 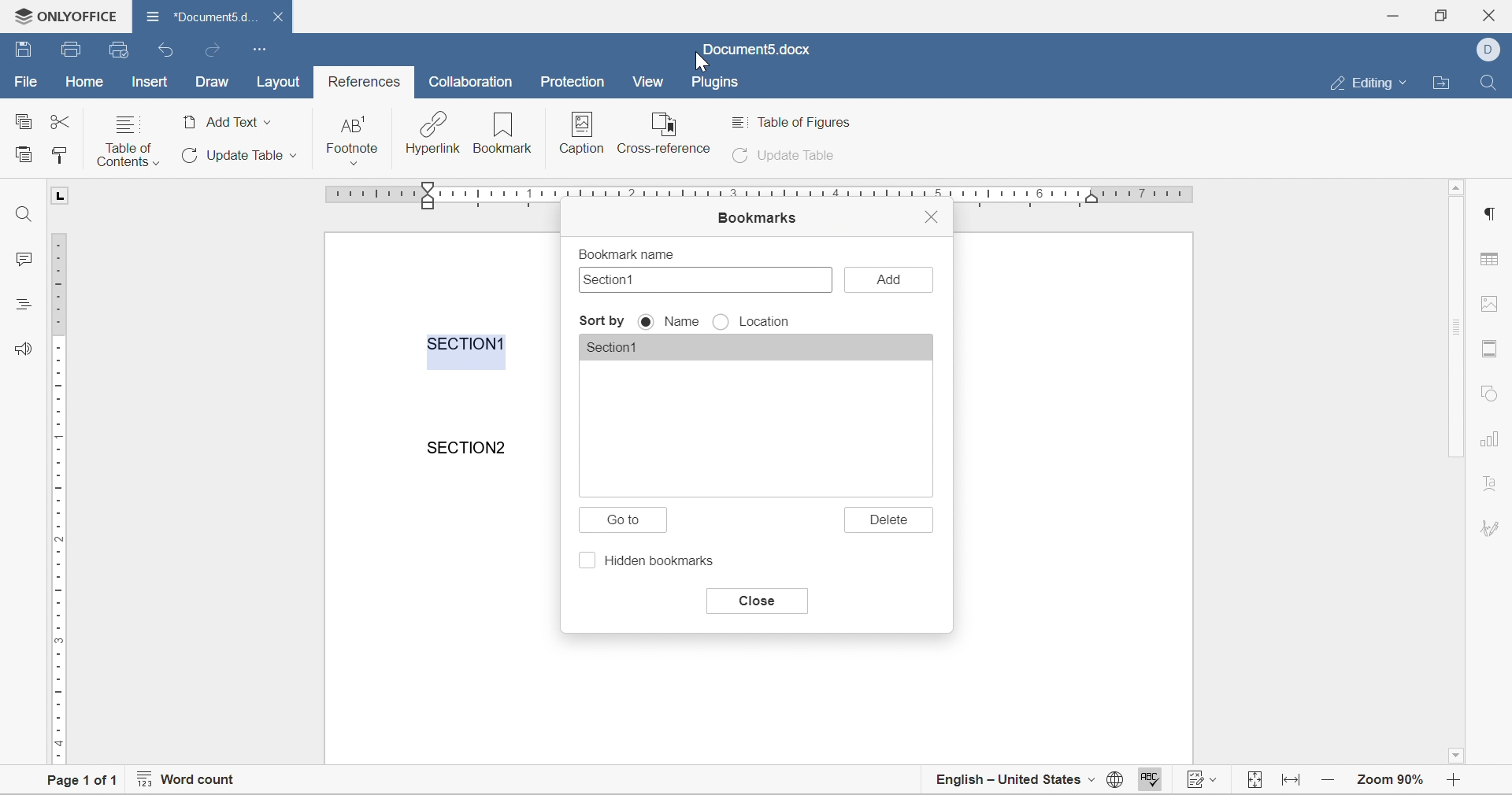 I want to click on ruler, so click(x=57, y=497).